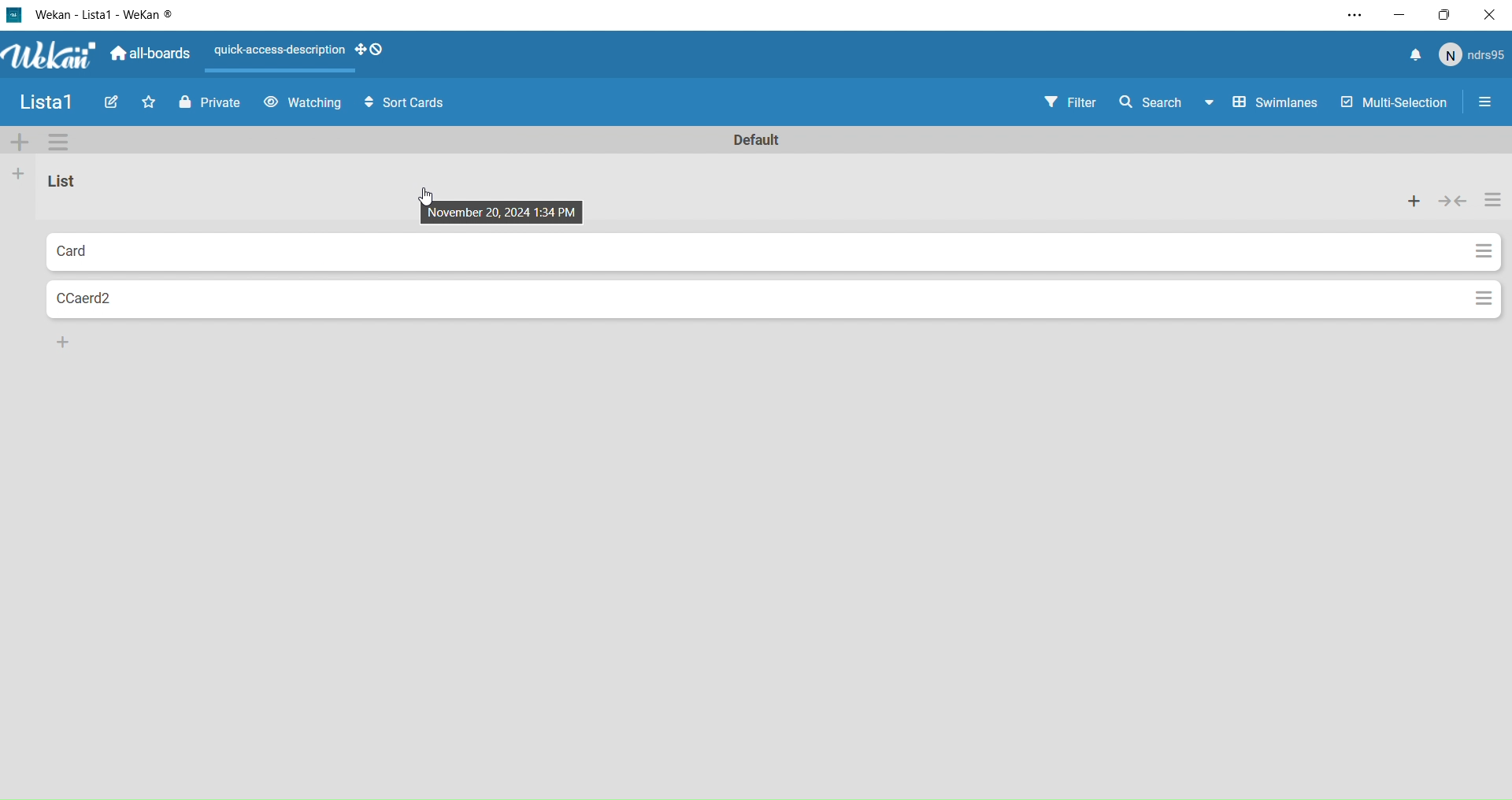 This screenshot has width=1512, height=800. What do you see at coordinates (1161, 102) in the screenshot?
I see `Search` at bounding box center [1161, 102].